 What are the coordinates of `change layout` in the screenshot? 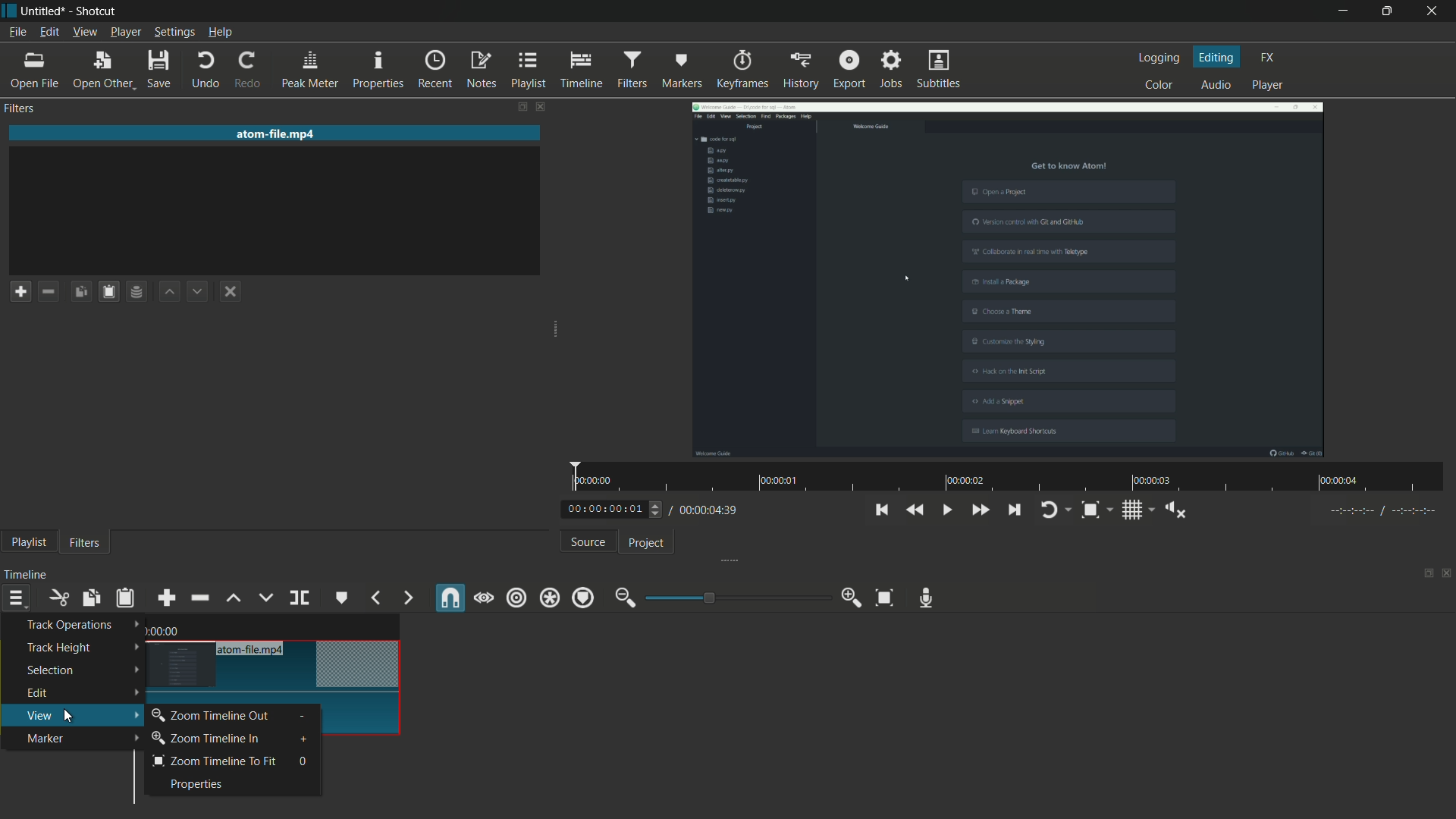 It's located at (521, 106).